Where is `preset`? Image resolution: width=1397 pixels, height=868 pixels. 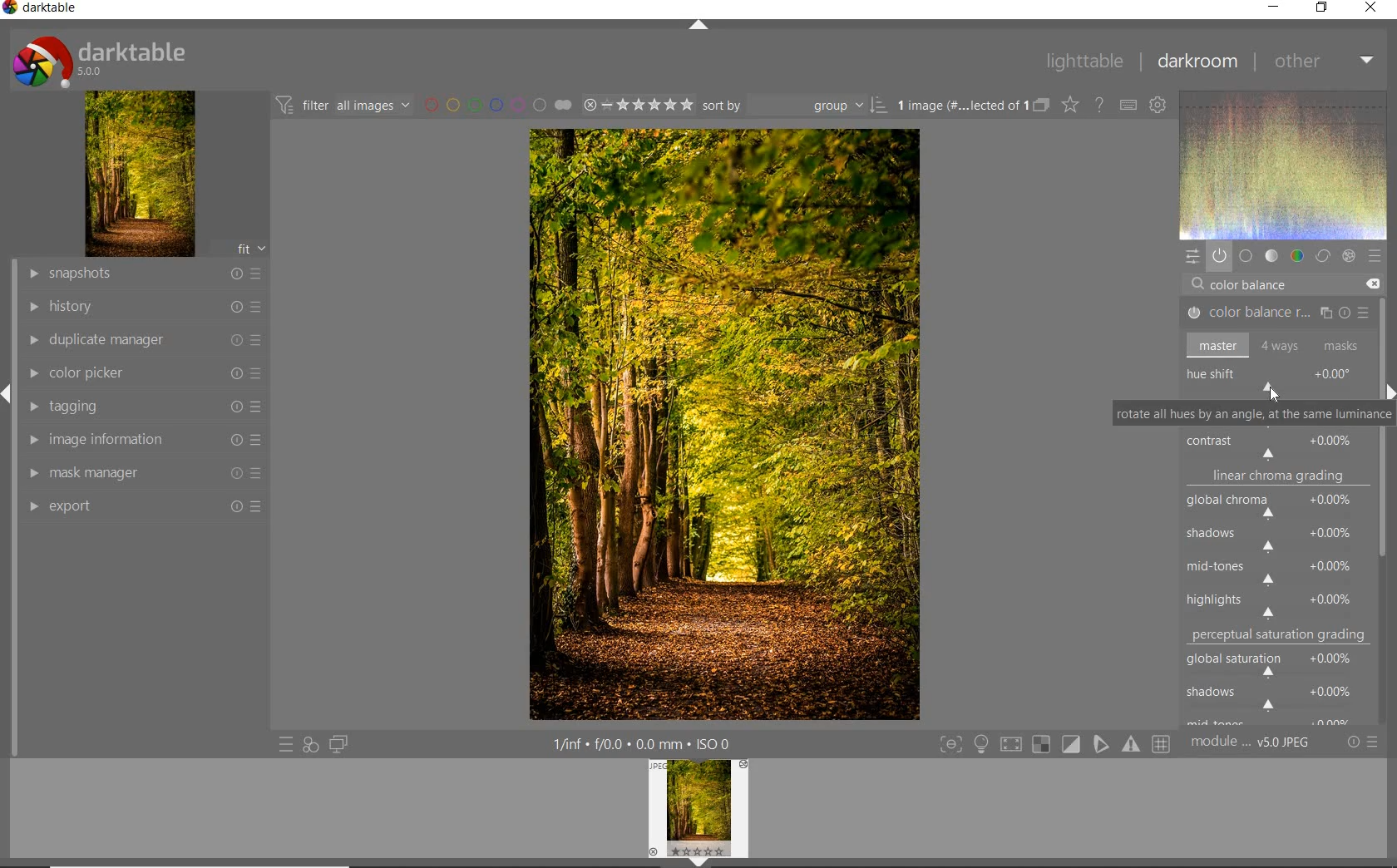 preset is located at coordinates (1374, 255).